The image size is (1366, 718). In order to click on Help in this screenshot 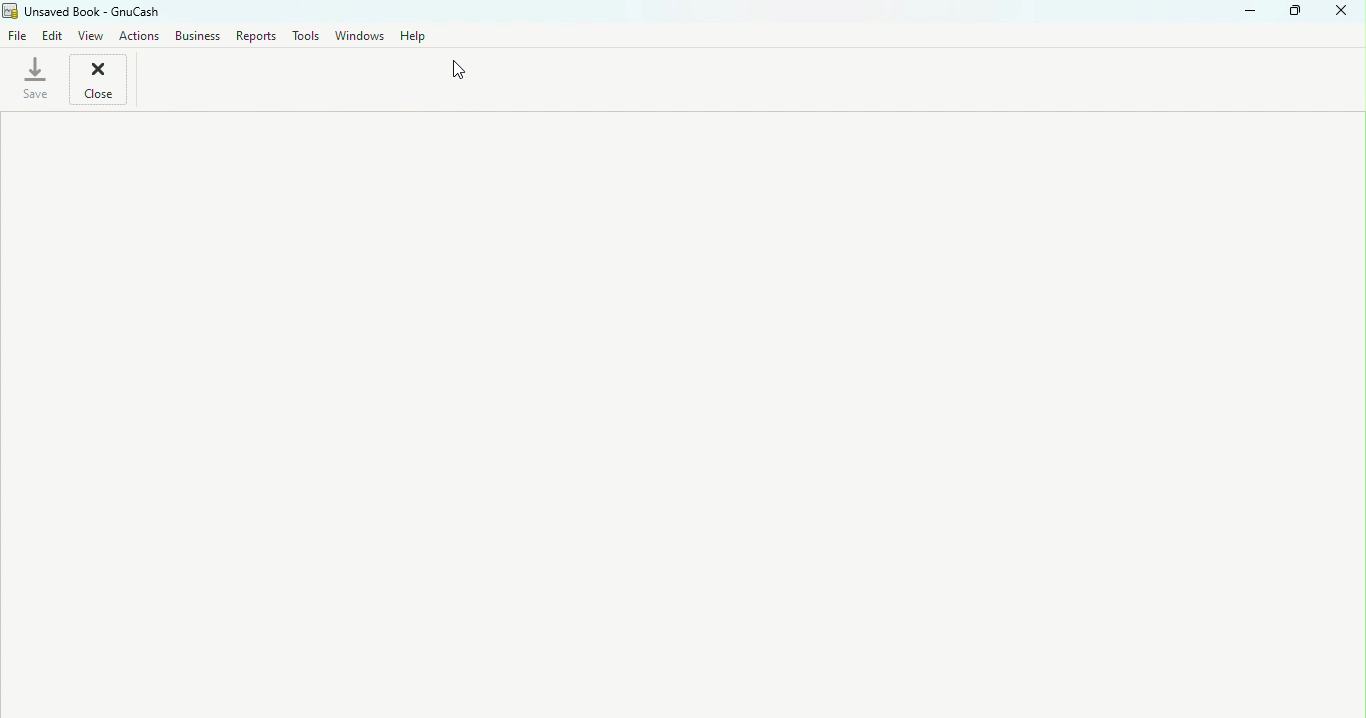, I will do `click(416, 35)`.